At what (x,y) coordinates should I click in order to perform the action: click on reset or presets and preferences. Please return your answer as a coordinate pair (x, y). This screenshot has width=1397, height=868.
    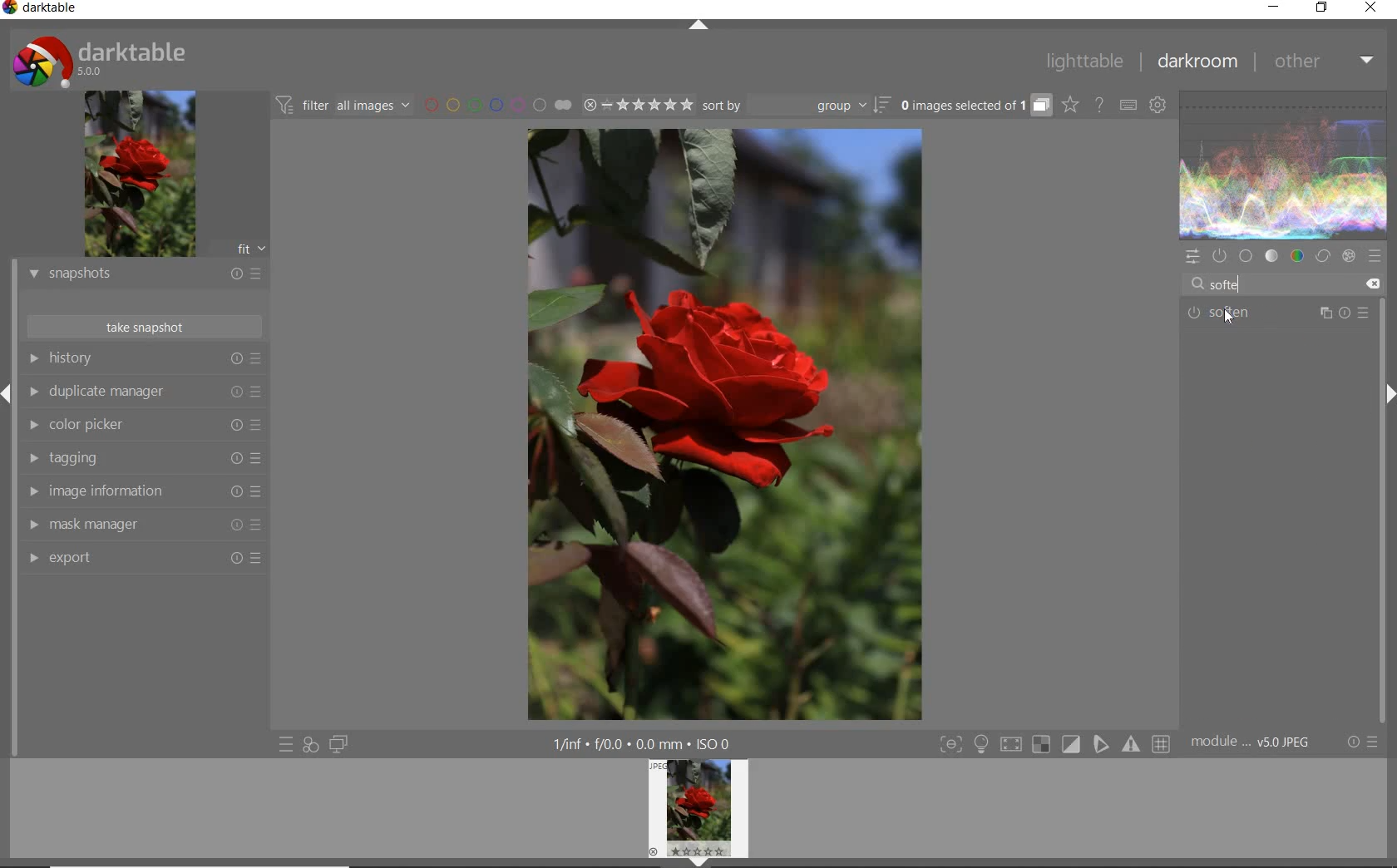
    Looking at the image, I should click on (1363, 742).